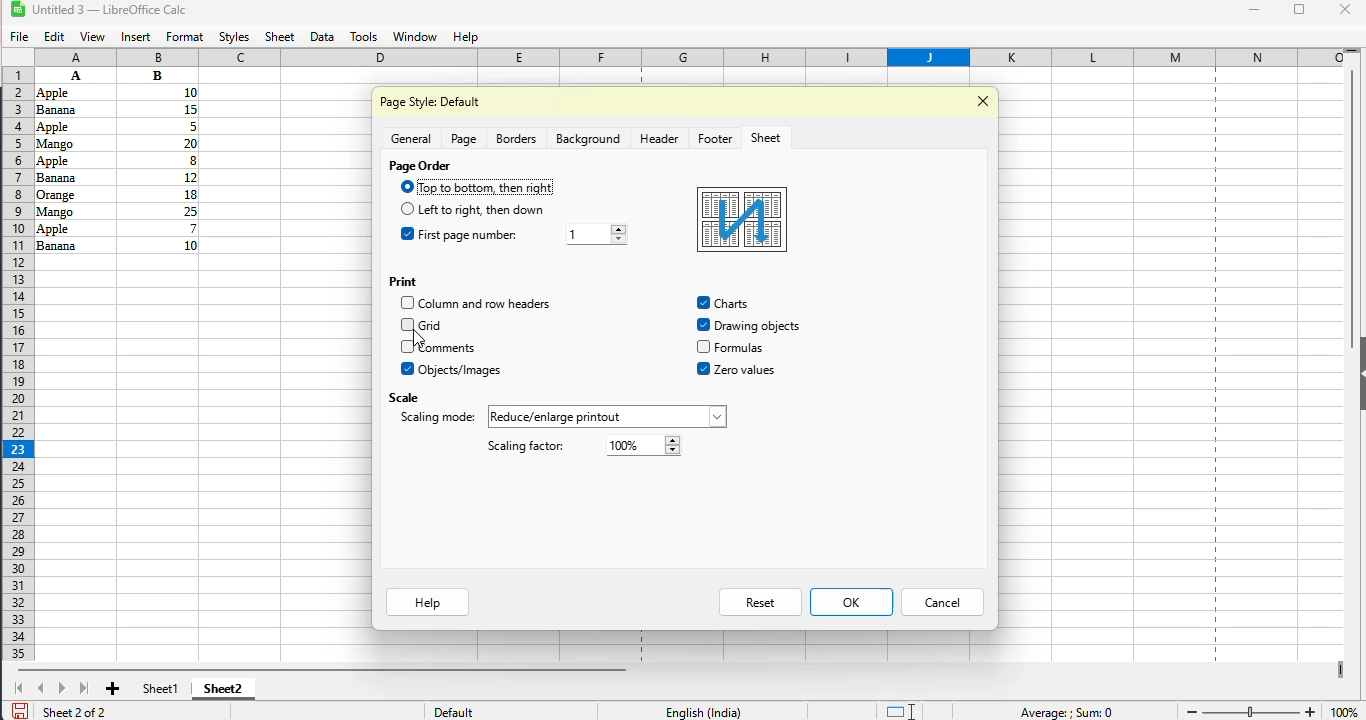 The width and height of the screenshot is (1366, 720). Describe the element at coordinates (899, 710) in the screenshot. I see `standard selection` at that location.